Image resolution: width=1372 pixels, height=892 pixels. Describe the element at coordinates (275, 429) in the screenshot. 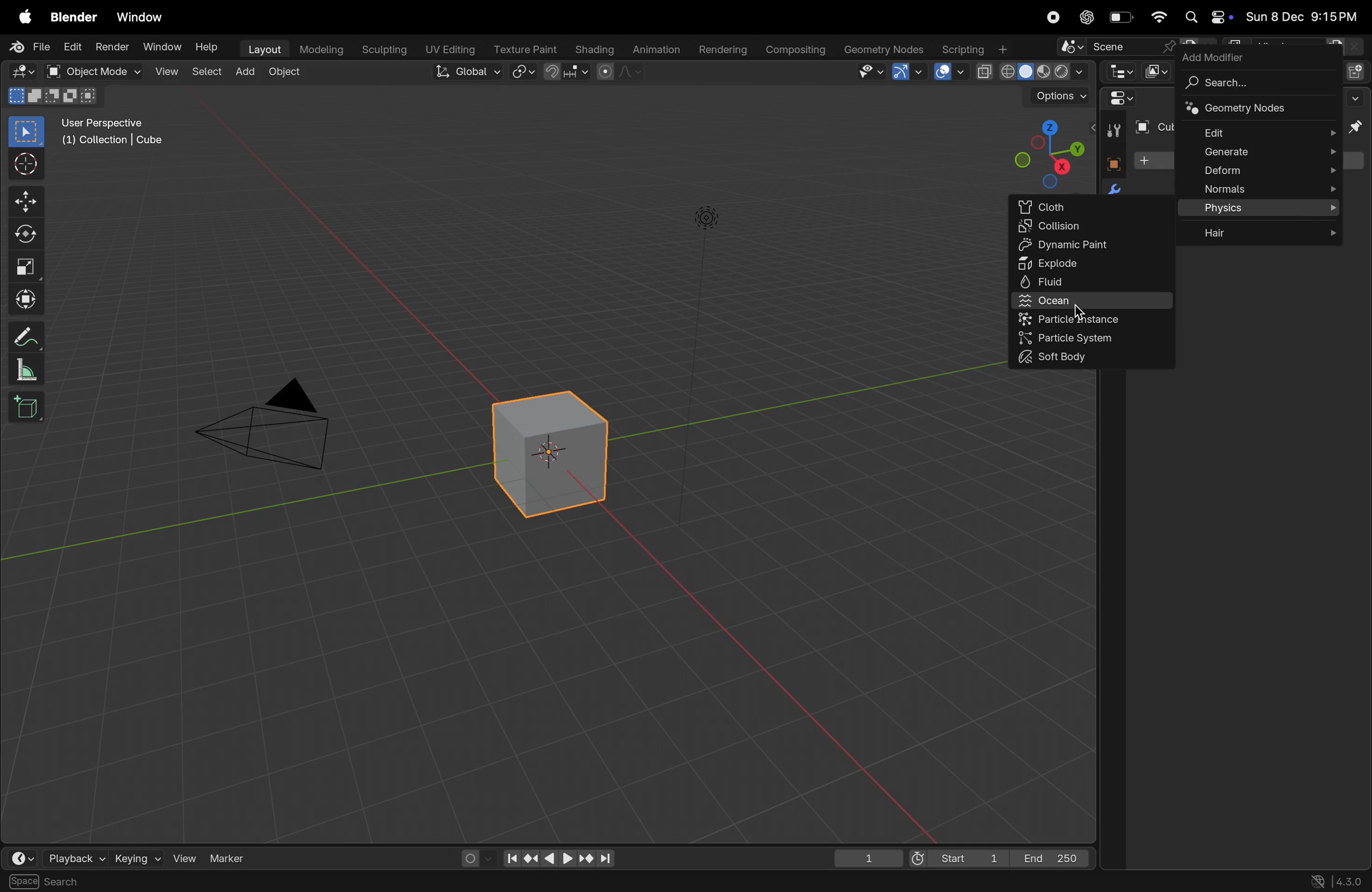

I see `perspective camera` at that location.